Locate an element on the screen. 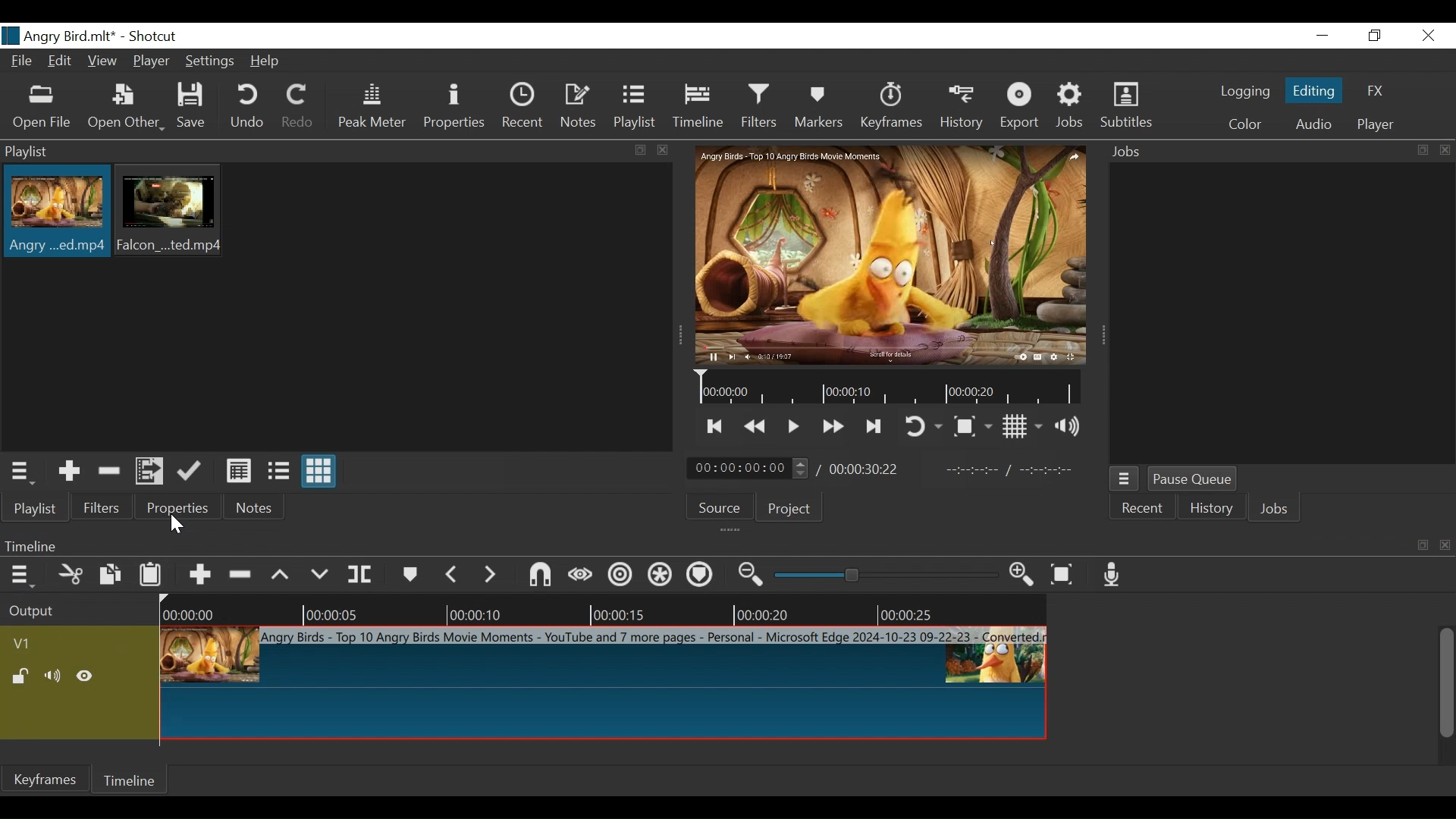 This screenshot has height=819, width=1456. Toggle display grid on player is located at coordinates (1023, 427).